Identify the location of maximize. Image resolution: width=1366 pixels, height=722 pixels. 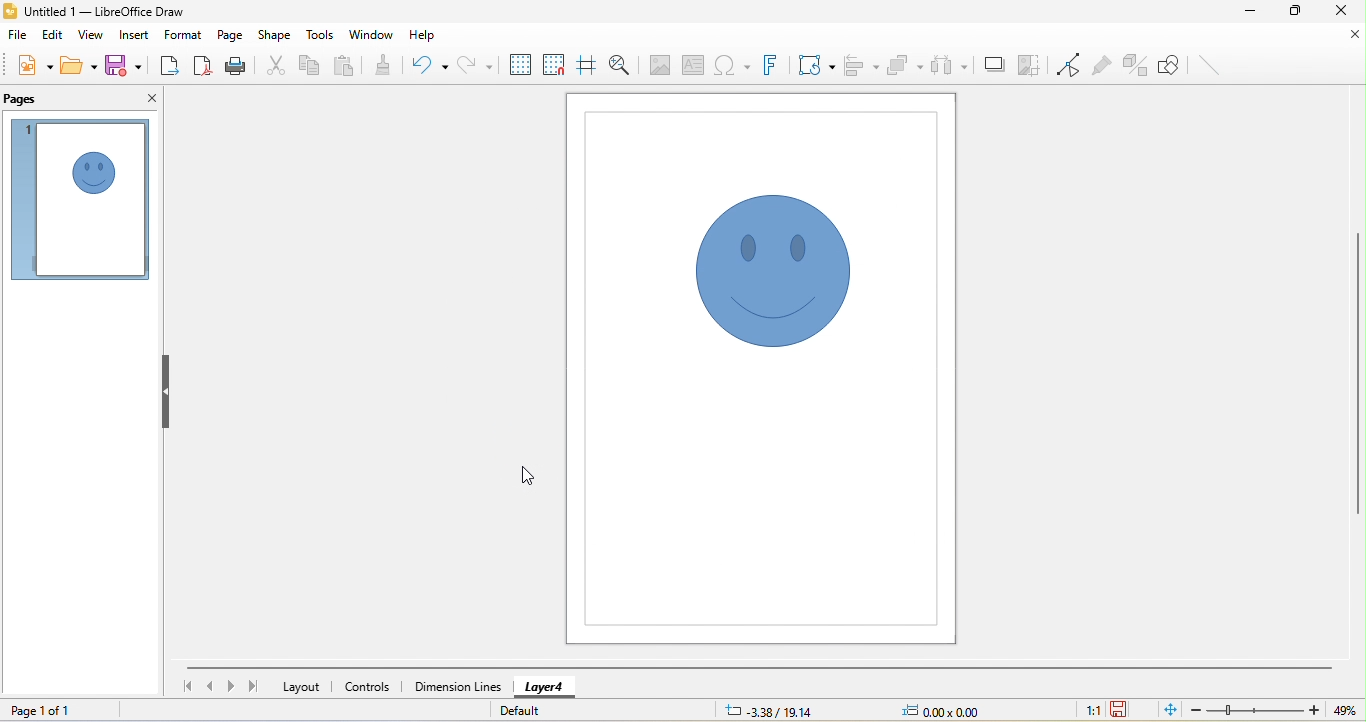
(1294, 14).